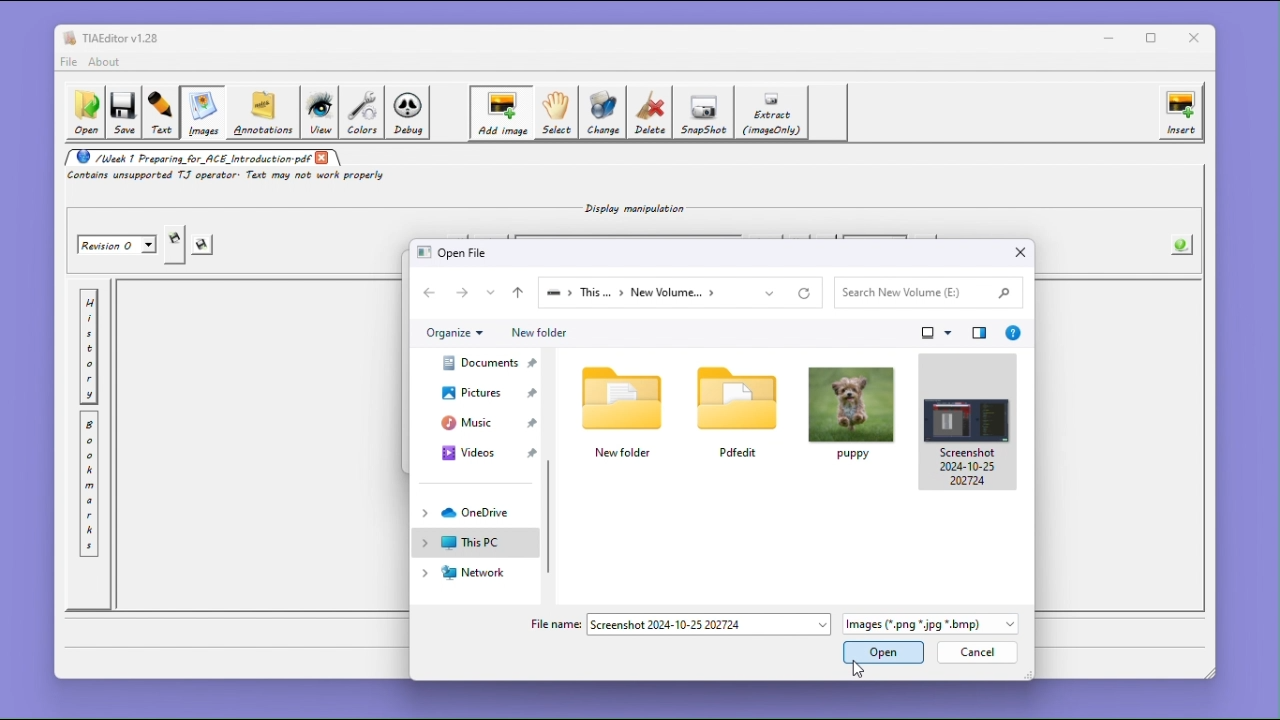 The width and height of the screenshot is (1280, 720). I want to click on Debug, so click(410, 113).